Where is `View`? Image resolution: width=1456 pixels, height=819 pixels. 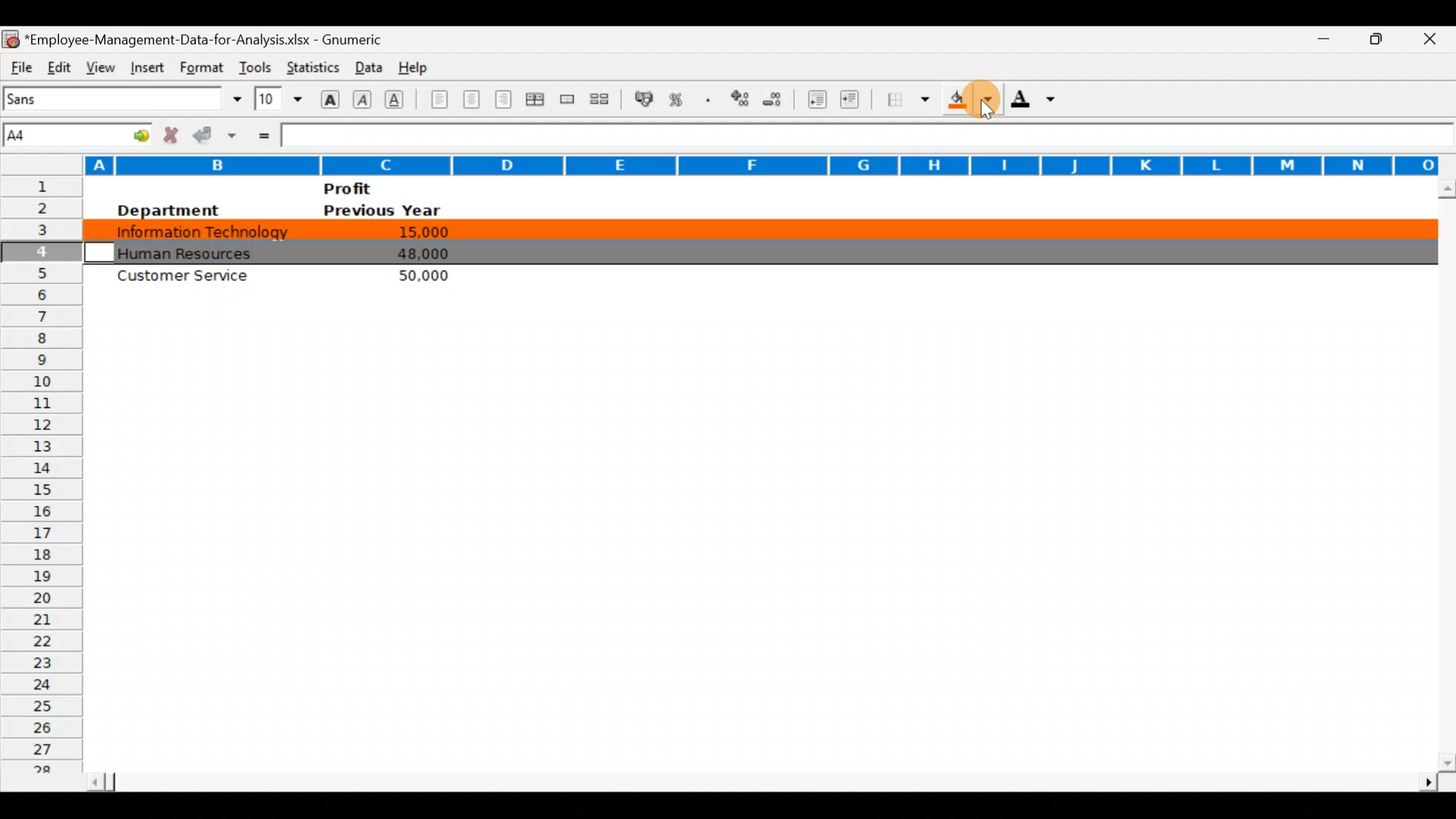 View is located at coordinates (97, 65).